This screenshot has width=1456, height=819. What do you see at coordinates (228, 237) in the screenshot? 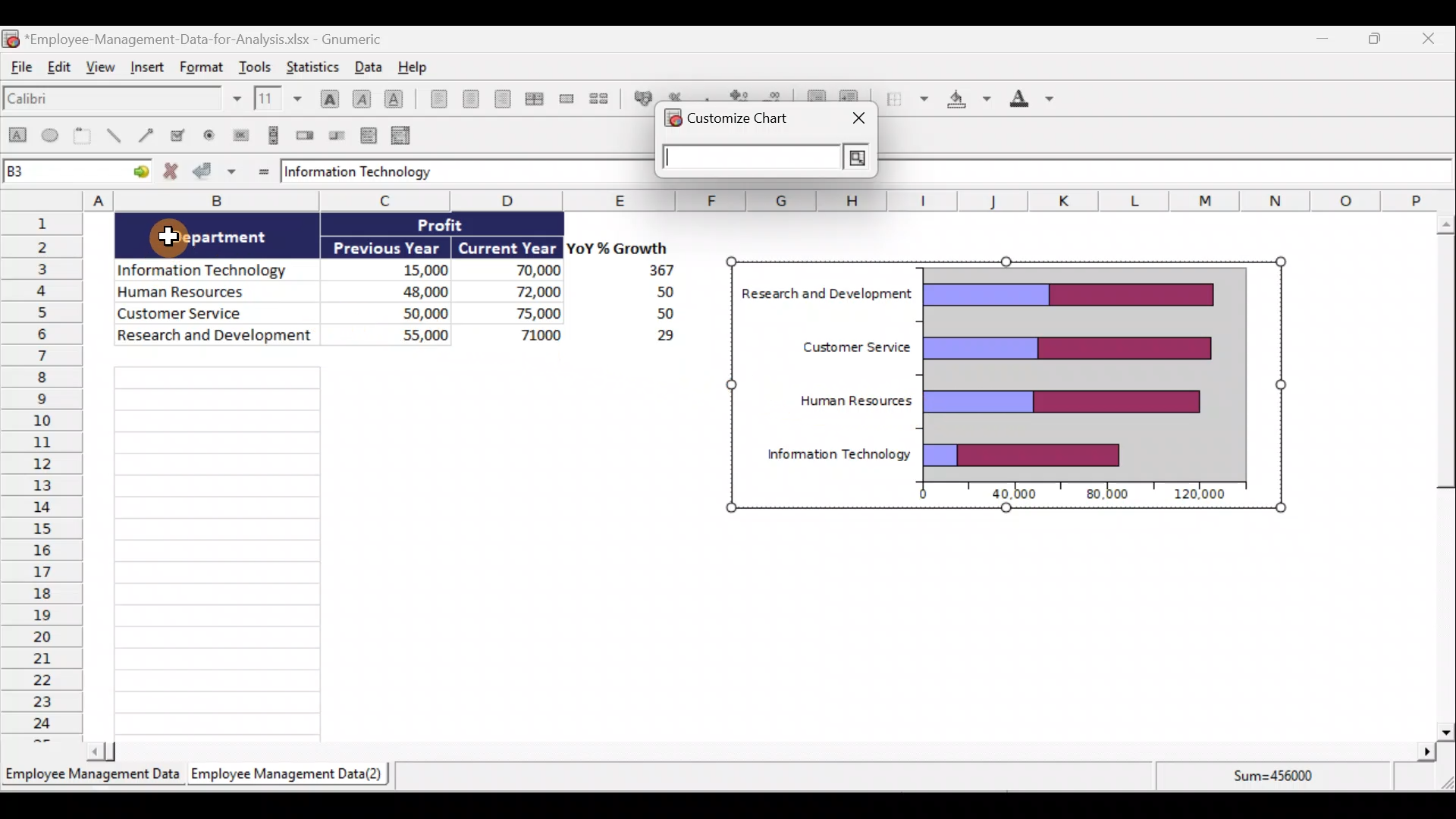
I see `Department` at bounding box center [228, 237].